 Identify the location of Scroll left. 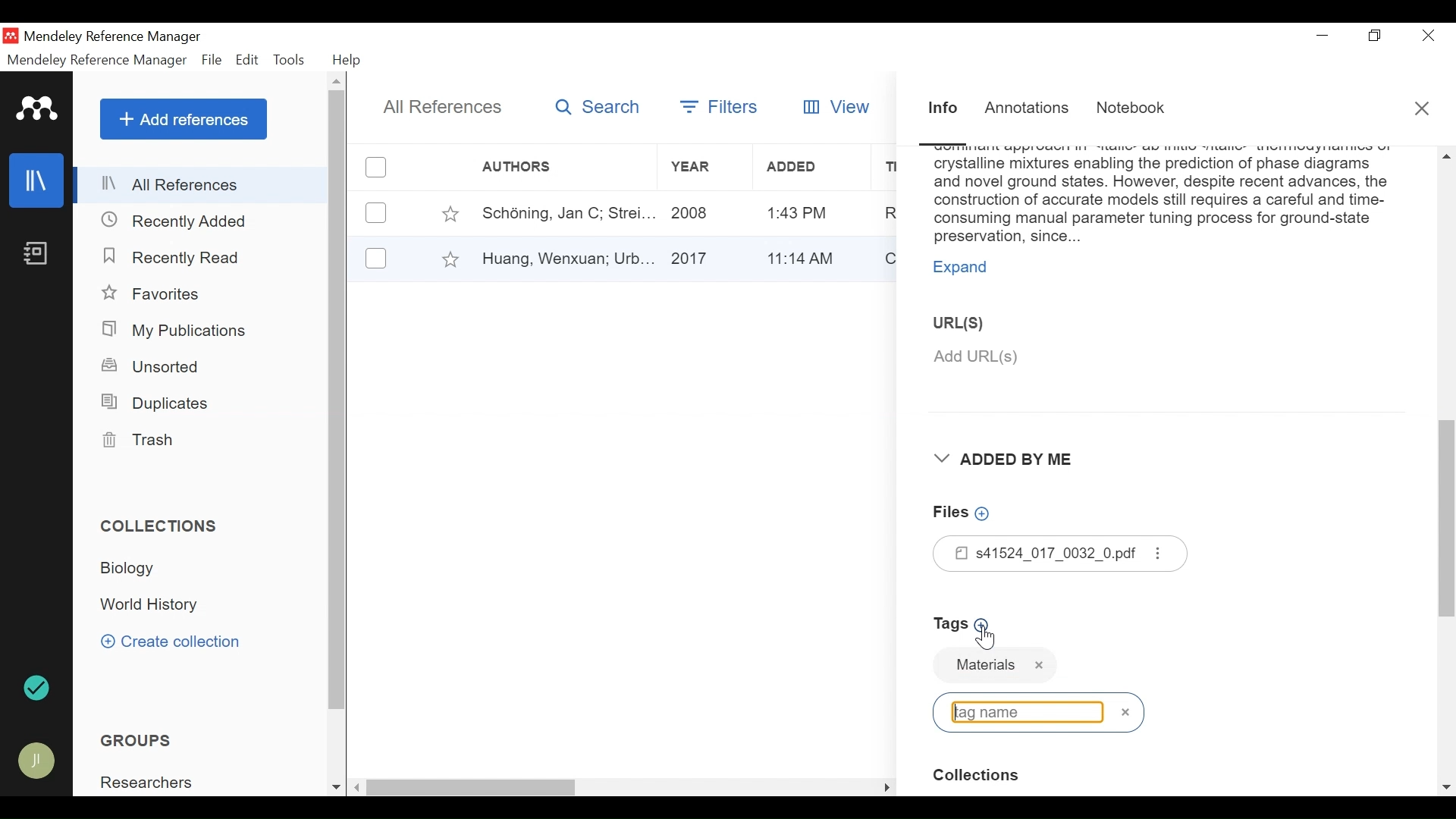
(358, 787).